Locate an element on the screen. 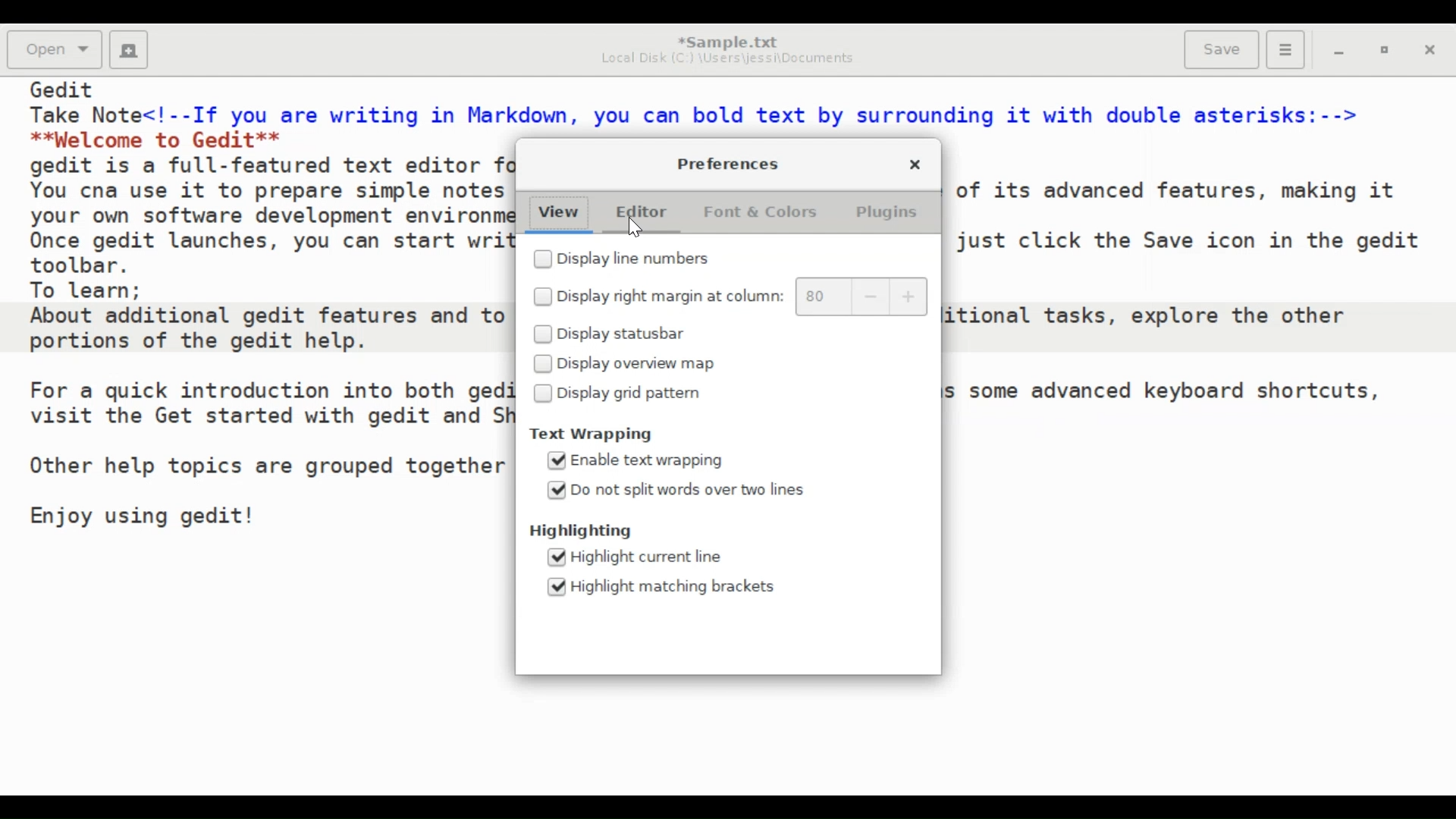 The height and width of the screenshot is (819, 1456). Text Wrapping is located at coordinates (609, 435).